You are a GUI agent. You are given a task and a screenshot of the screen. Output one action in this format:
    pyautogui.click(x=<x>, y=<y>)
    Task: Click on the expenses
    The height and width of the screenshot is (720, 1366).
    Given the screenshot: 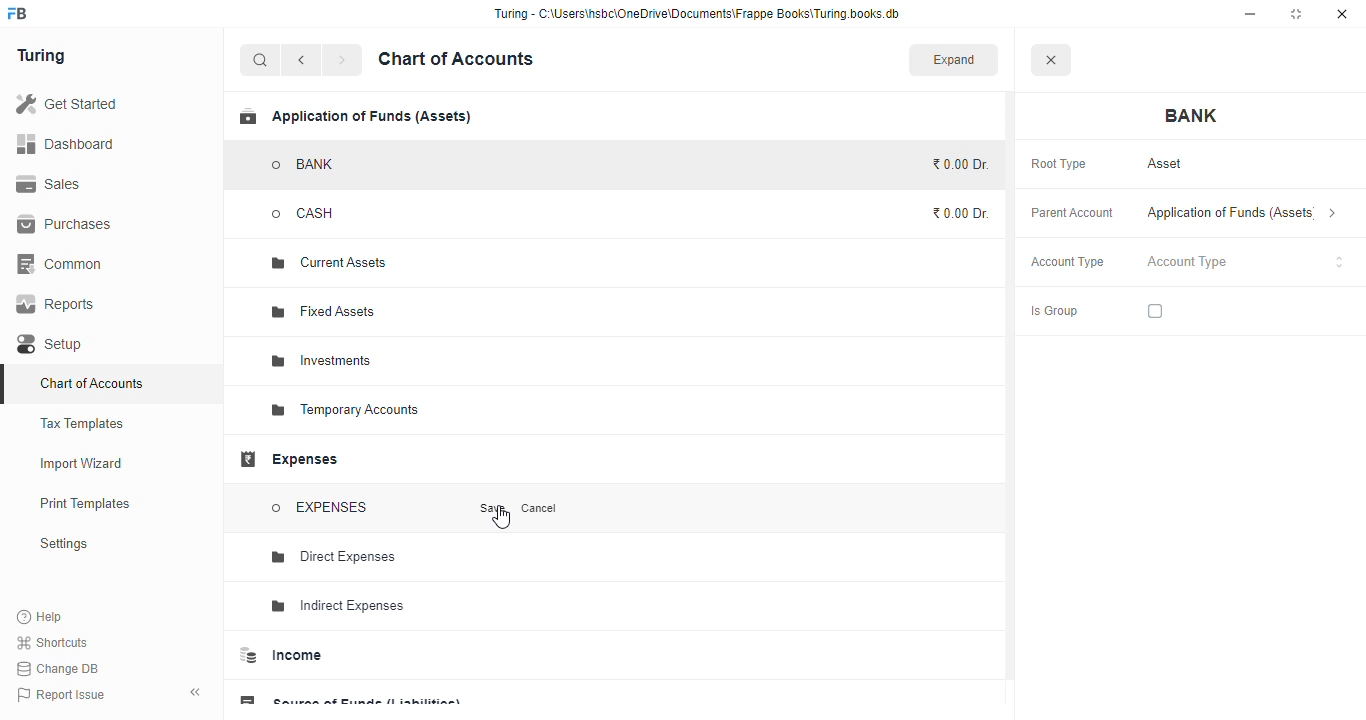 What is the action you would take?
    pyautogui.click(x=288, y=459)
    